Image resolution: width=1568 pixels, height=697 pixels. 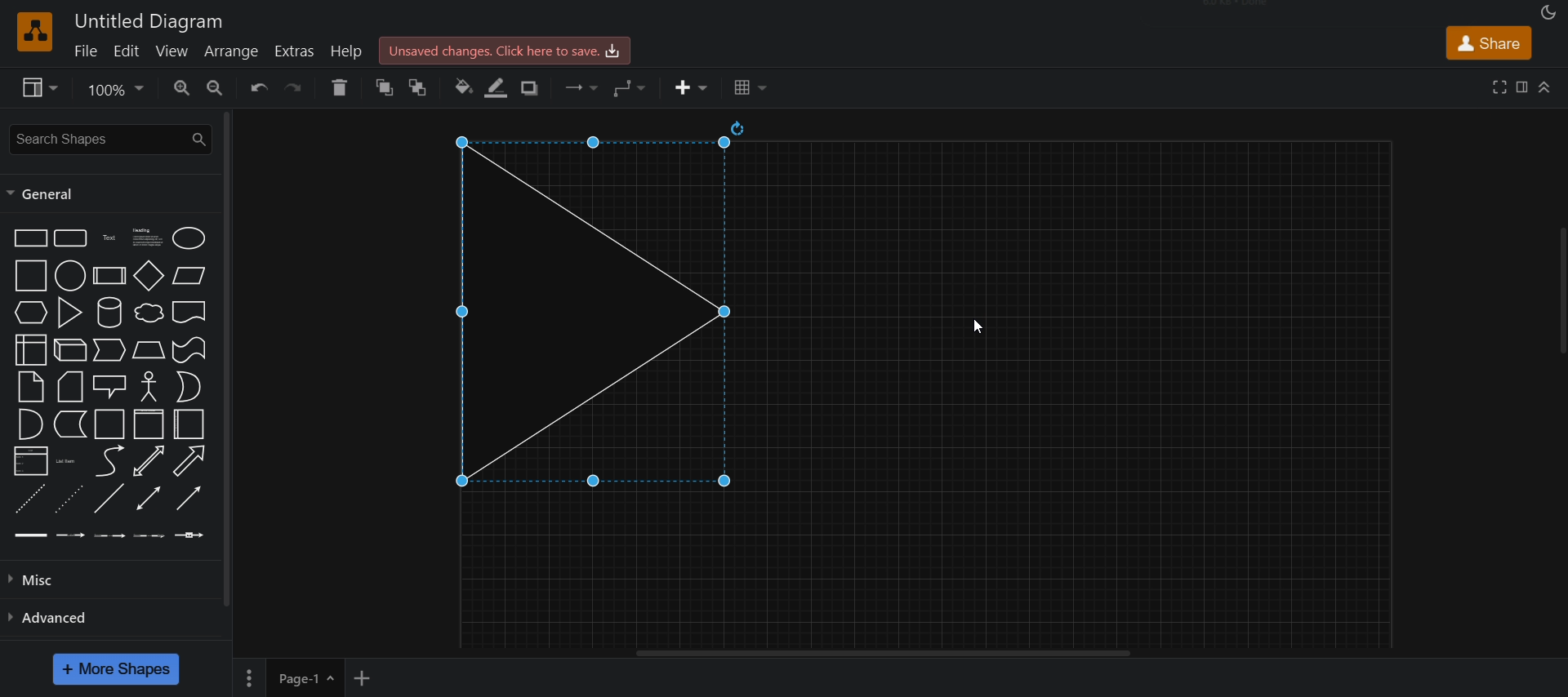 What do you see at coordinates (32, 275) in the screenshot?
I see `square` at bounding box center [32, 275].